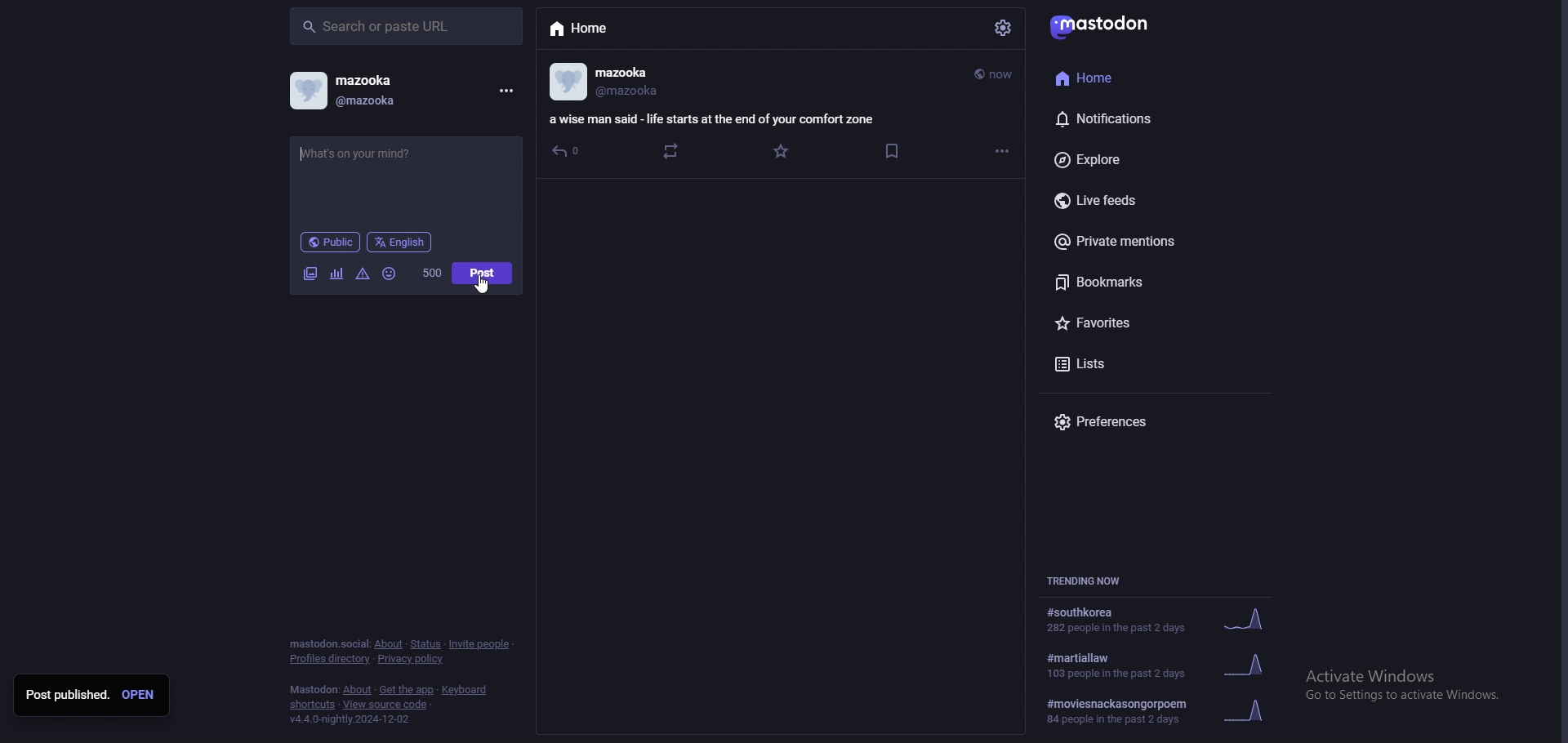 Image resolution: width=1568 pixels, height=743 pixels. Describe the element at coordinates (313, 690) in the screenshot. I see `mastodon` at that location.